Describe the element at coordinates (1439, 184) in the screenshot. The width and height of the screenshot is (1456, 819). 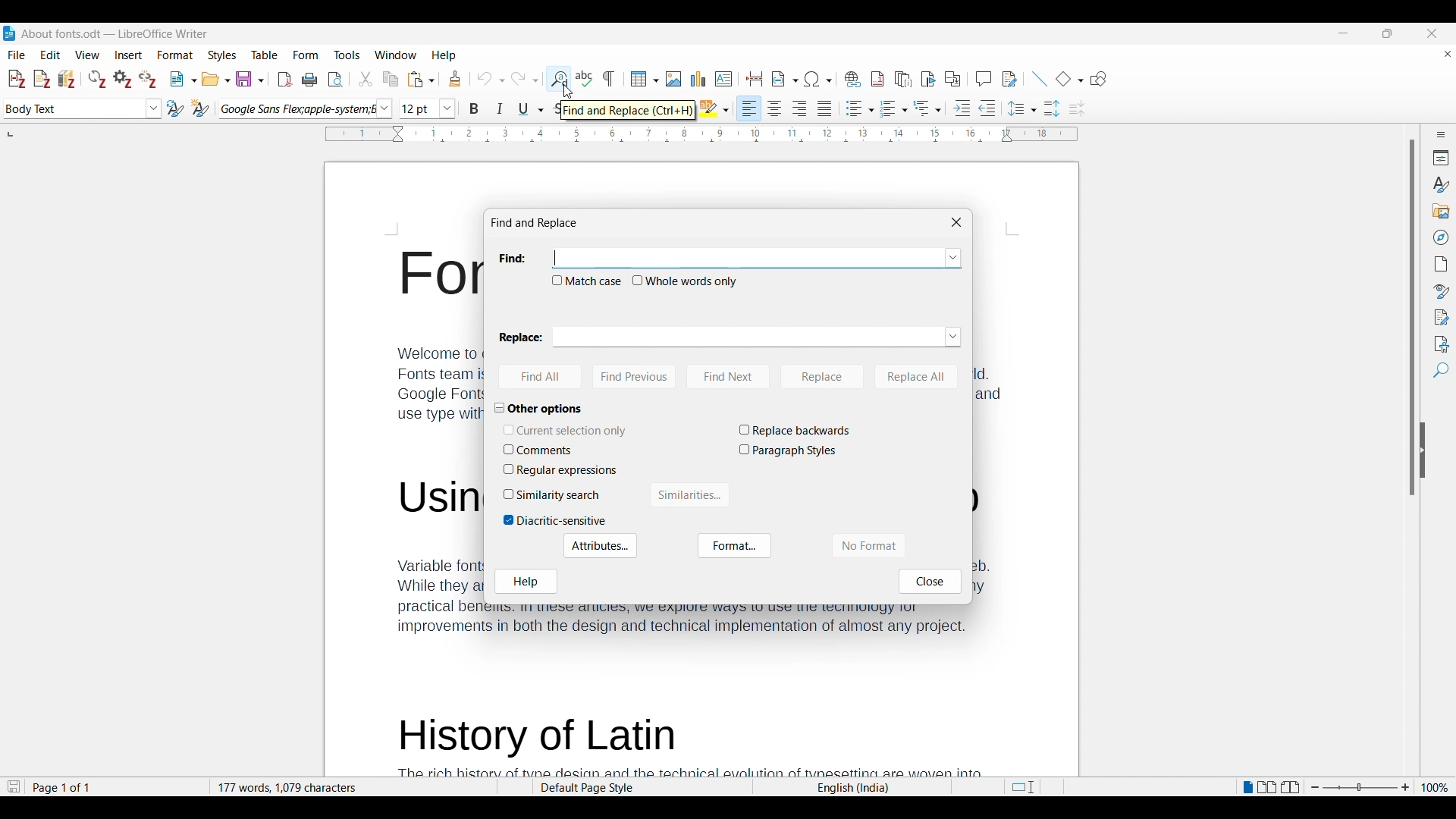
I see `Styles` at that location.